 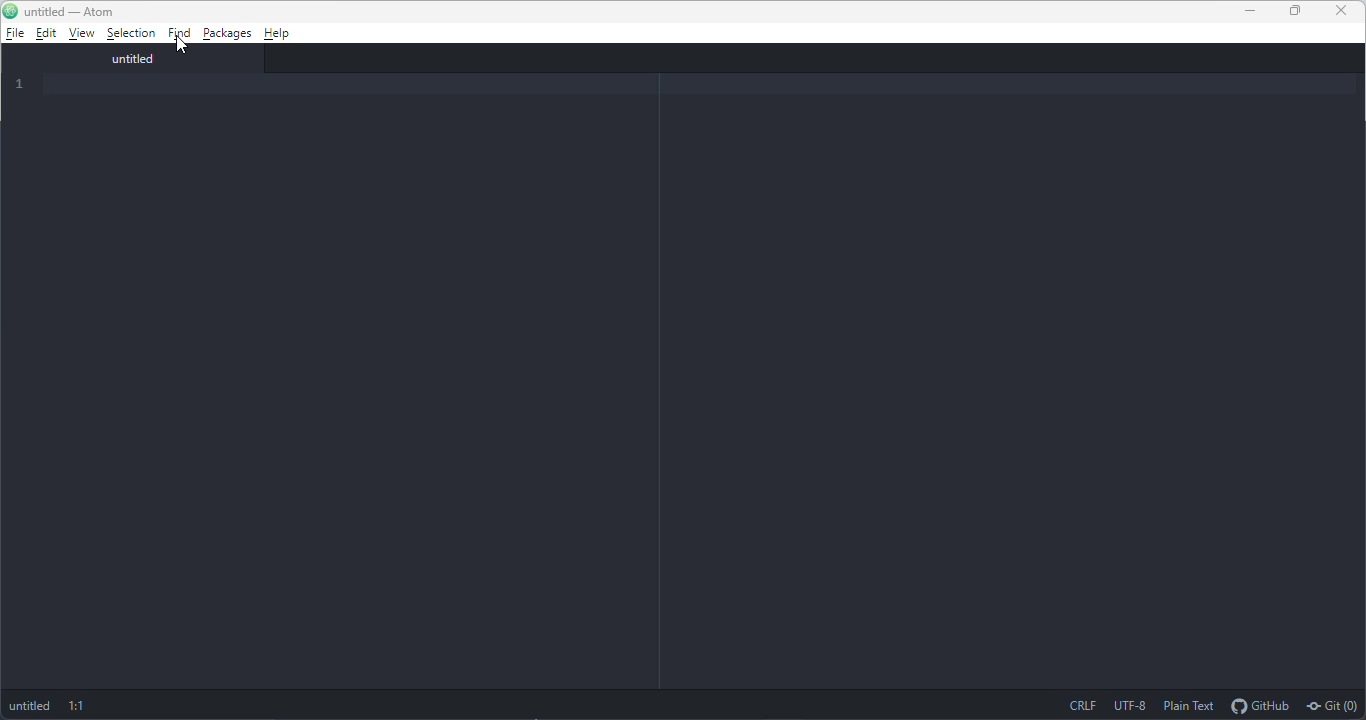 I want to click on untitled, so click(x=119, y=60).